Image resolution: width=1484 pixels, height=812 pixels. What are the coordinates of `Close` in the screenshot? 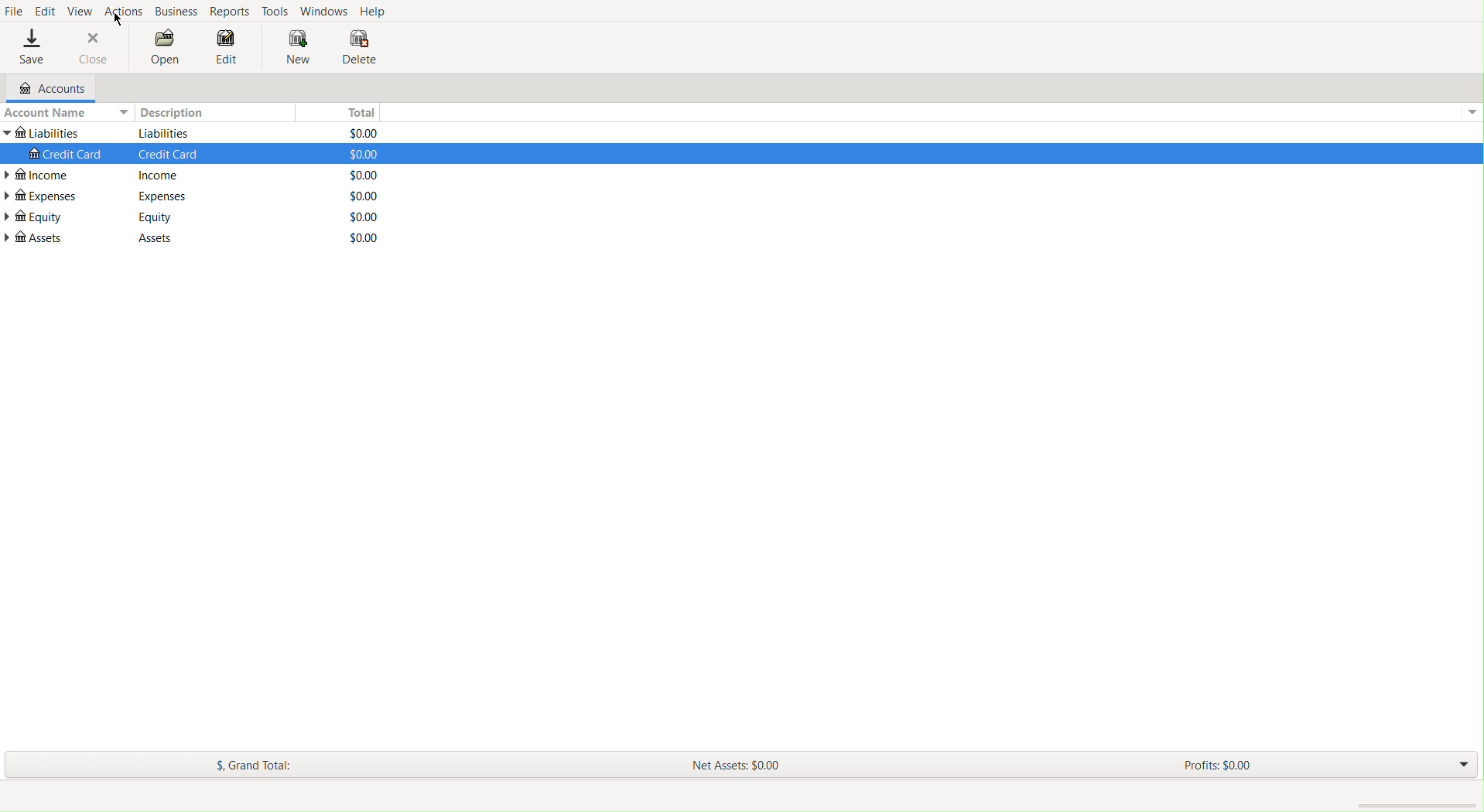 It's located at (94, 48).